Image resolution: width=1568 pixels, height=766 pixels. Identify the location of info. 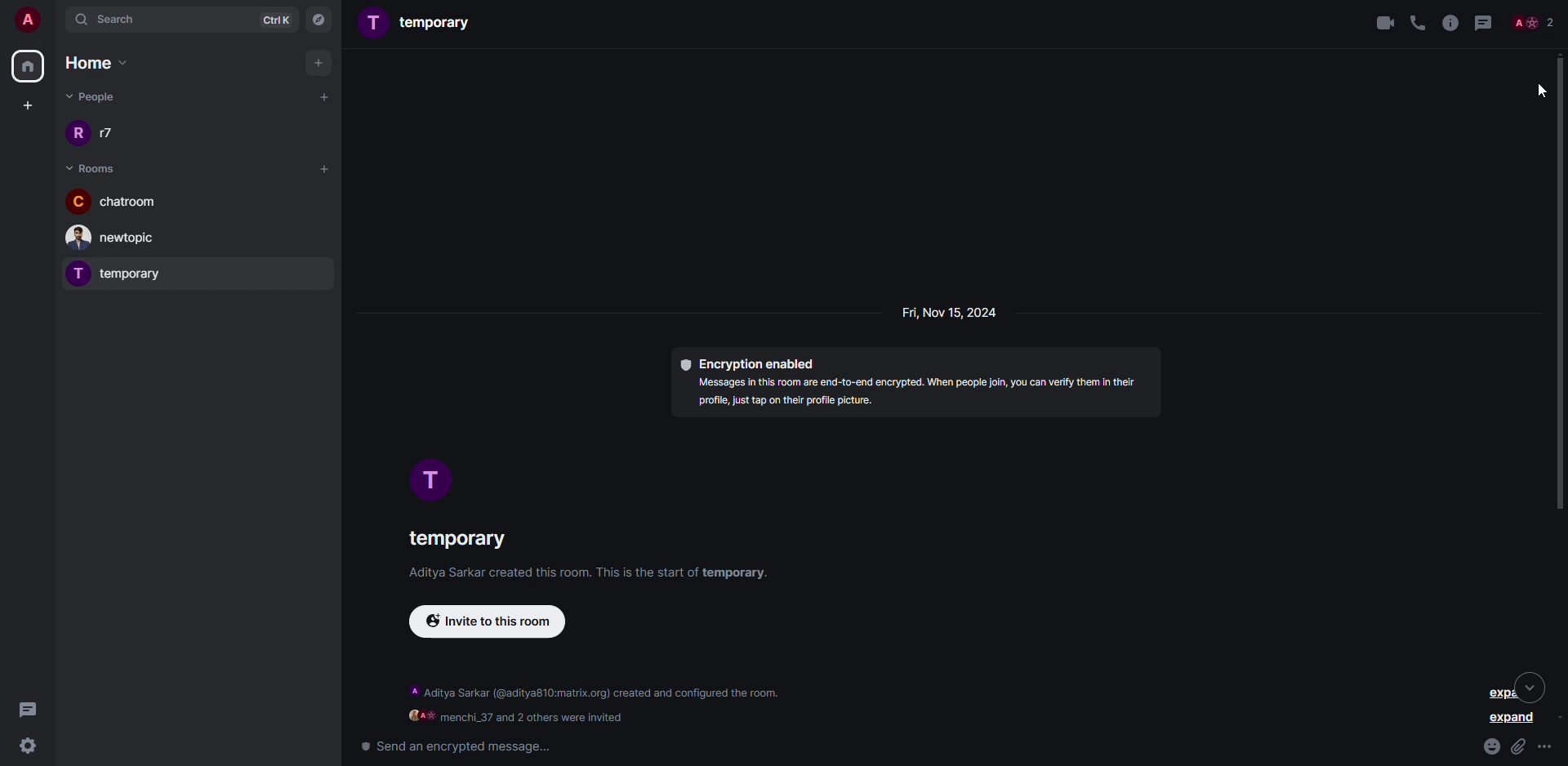
(1449, 22).